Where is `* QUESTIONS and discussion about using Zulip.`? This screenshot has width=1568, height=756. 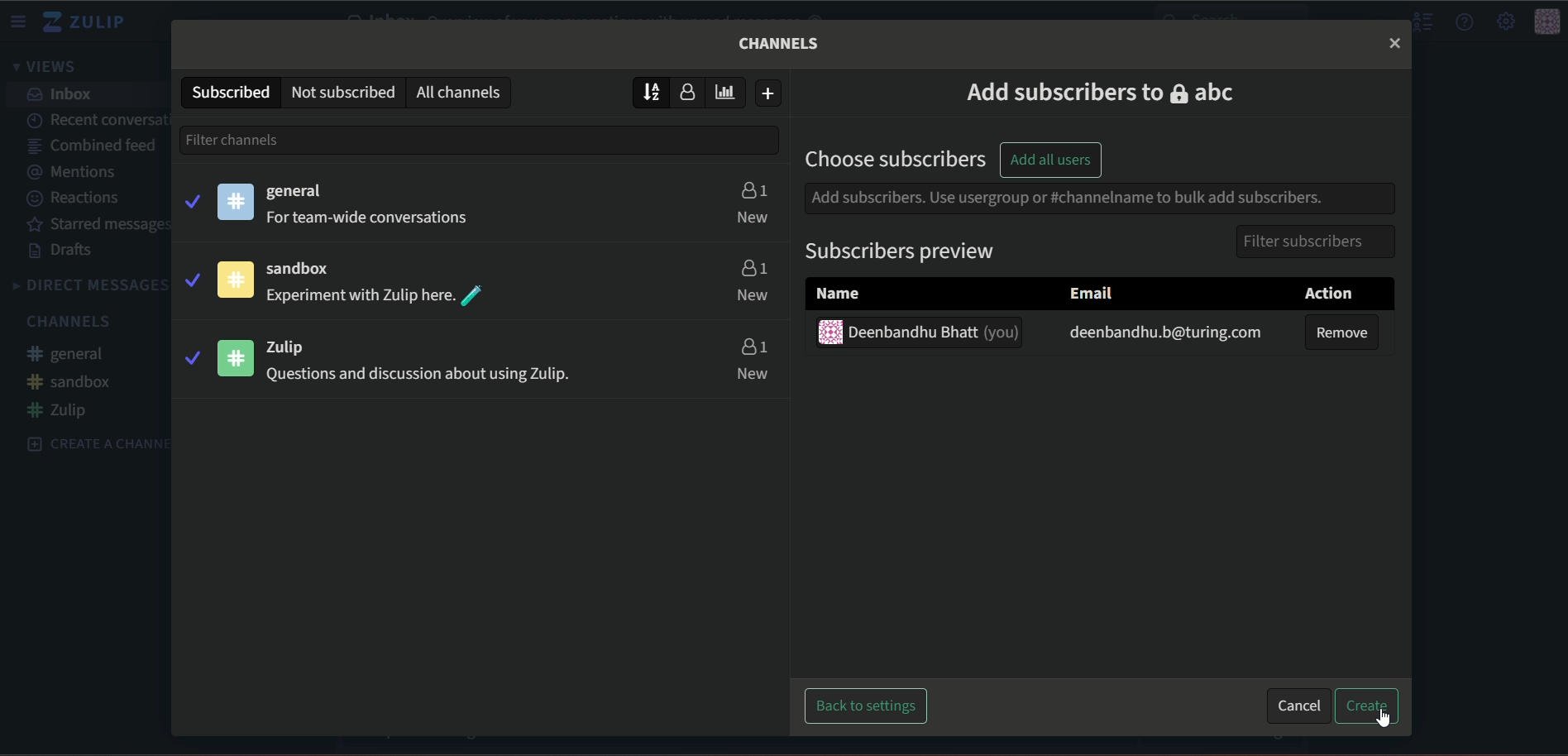
* QUESTIONS and discussion about using Zulip. is located at coordinates (418, 377).